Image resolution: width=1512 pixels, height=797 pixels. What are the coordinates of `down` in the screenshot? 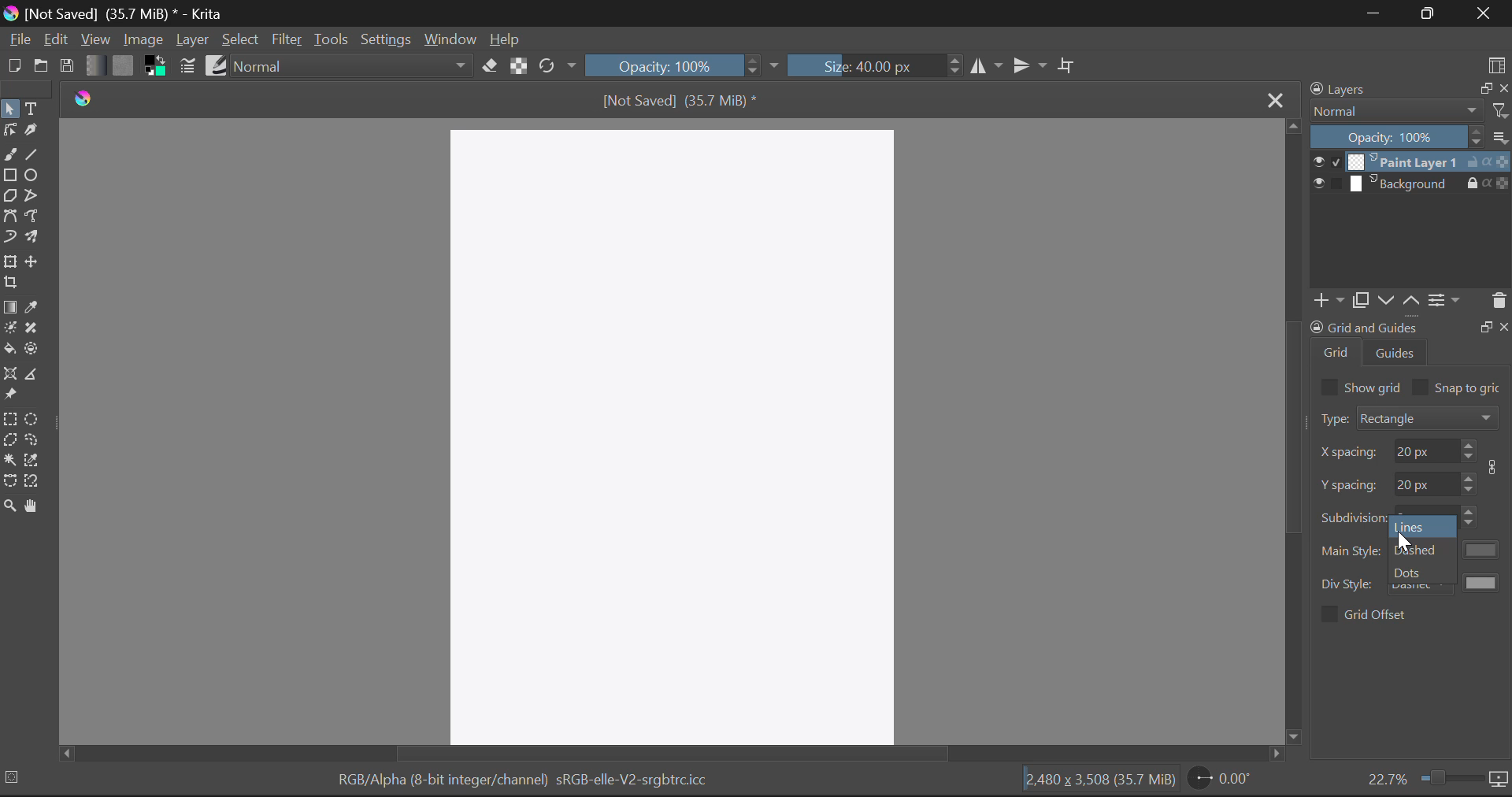 It's located at (1384, 300).